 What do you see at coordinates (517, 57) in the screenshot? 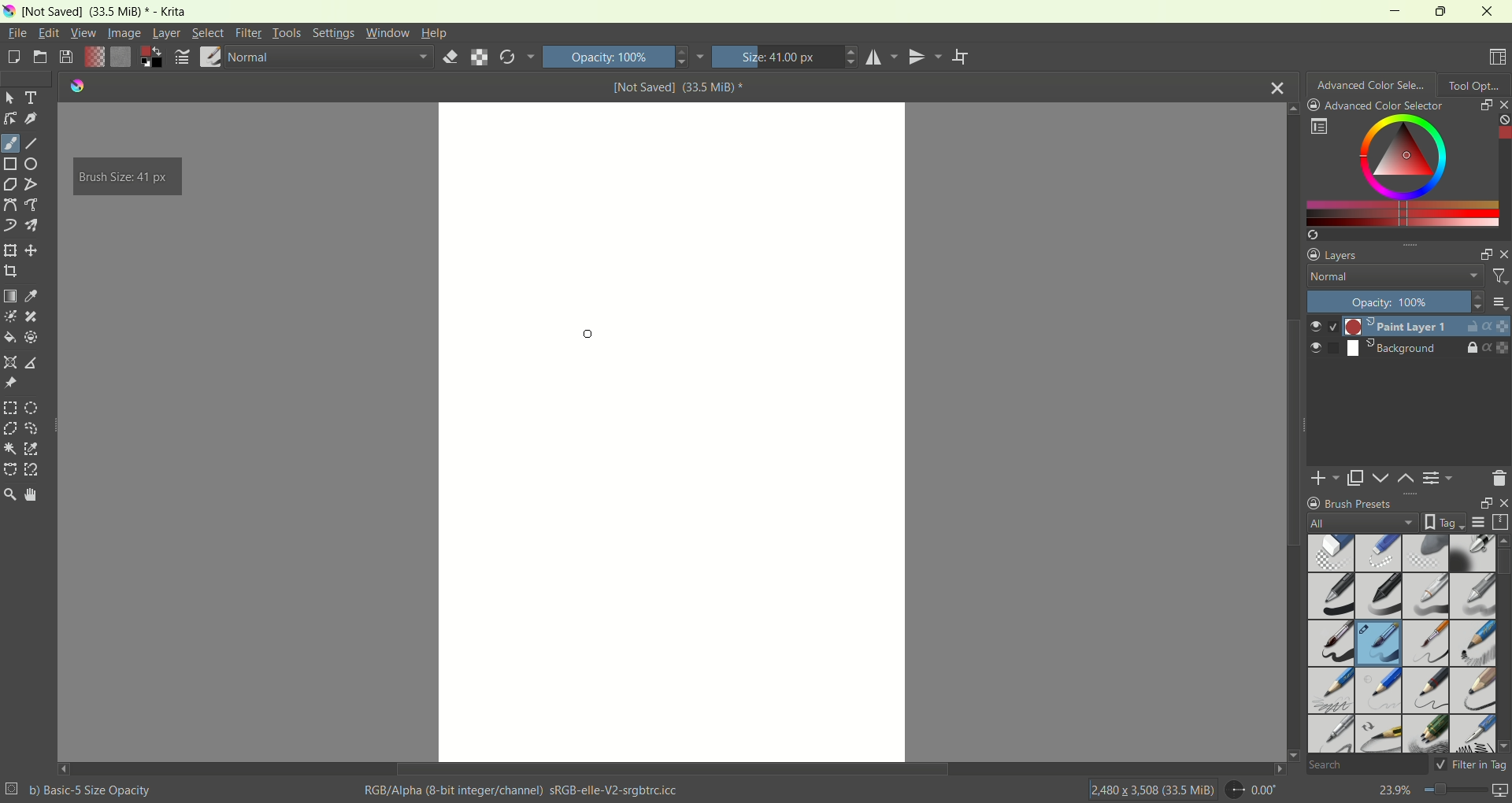
I see `reload` at bounding box center [517, 57].